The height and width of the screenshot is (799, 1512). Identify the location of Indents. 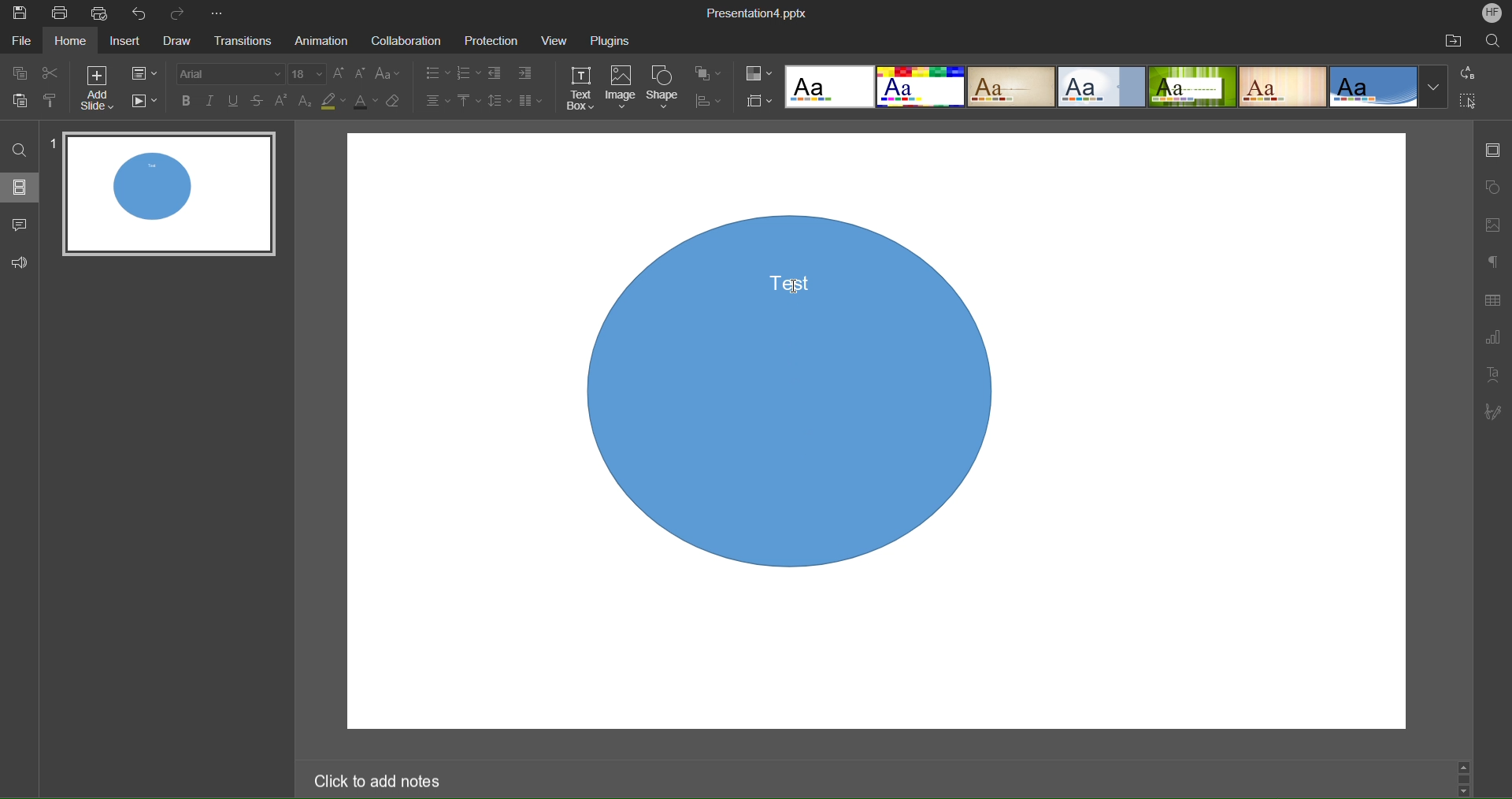
(521, 71).